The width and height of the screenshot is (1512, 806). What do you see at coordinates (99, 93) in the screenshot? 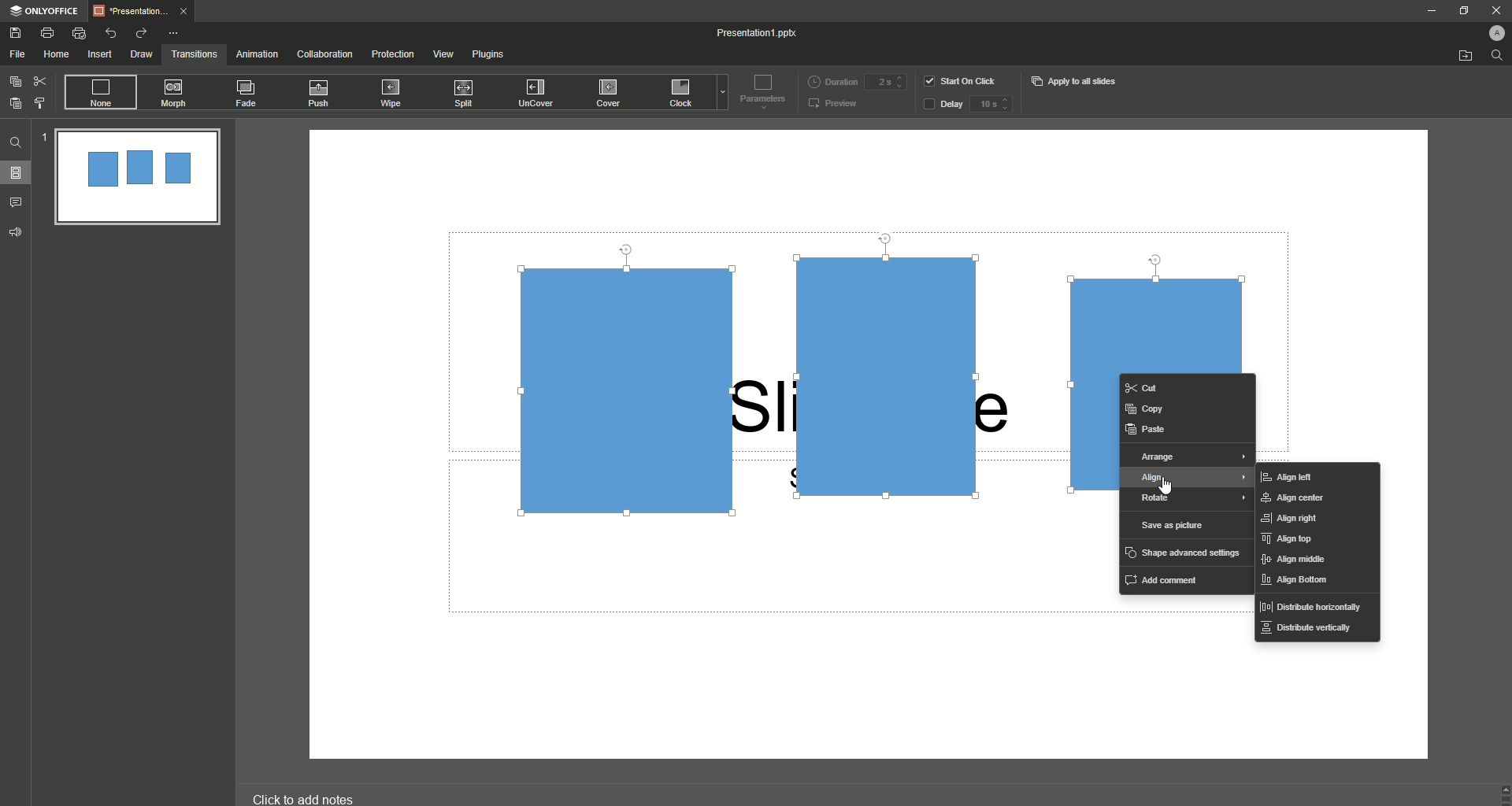
I see `None` at bounding box center [99, 93].